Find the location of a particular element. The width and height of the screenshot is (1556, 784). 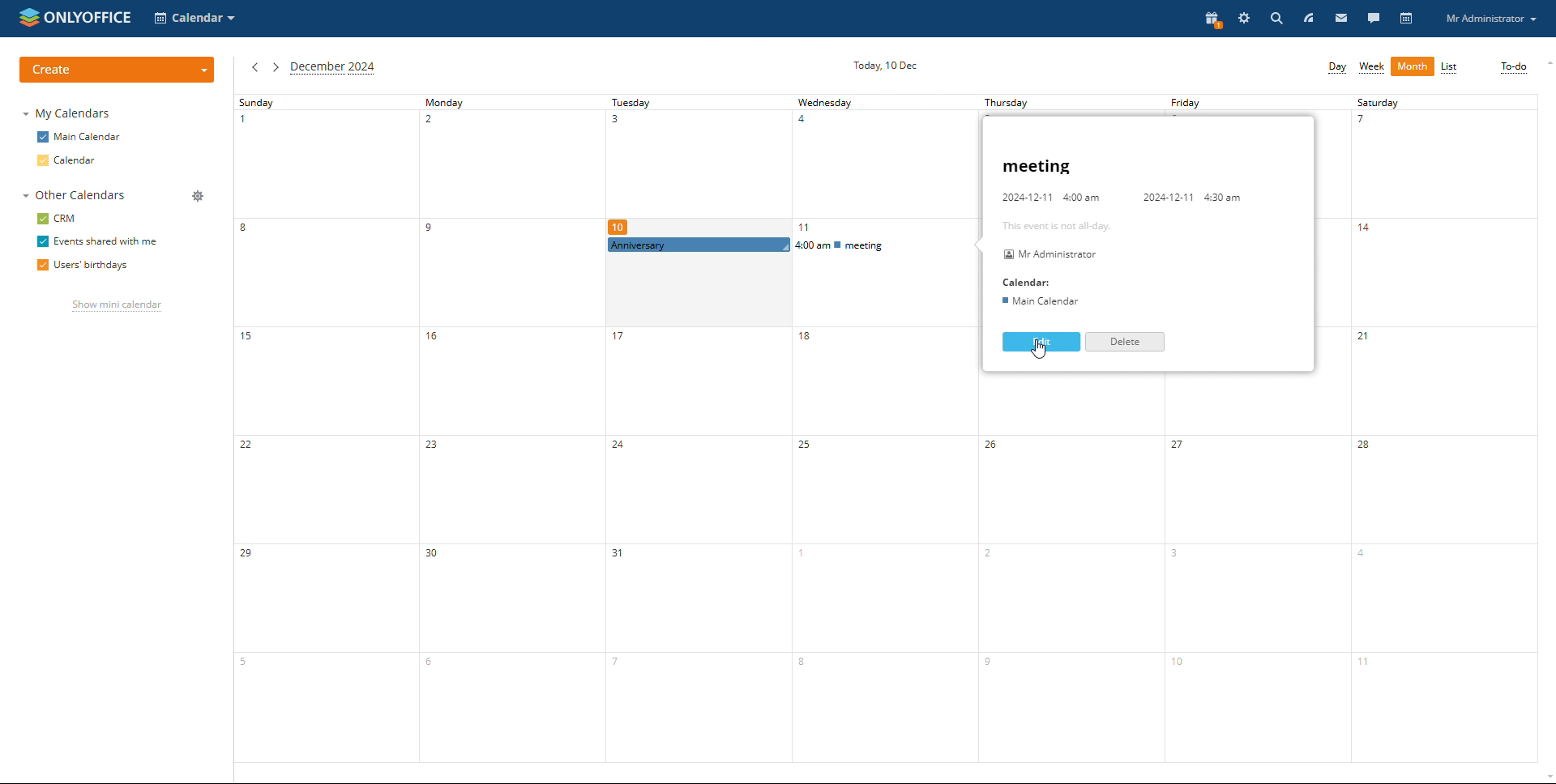

mail is located at coordinates (1346, 19).